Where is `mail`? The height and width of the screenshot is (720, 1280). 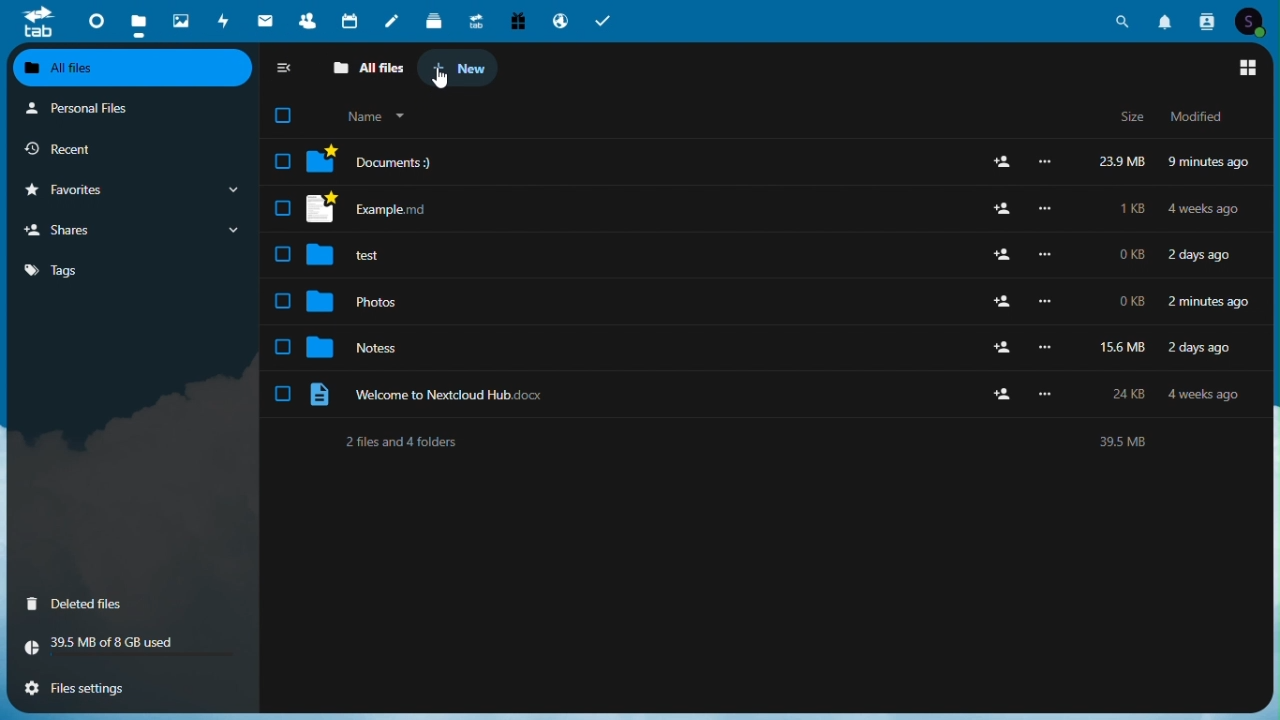 mail is located at coordinates (264, 19).